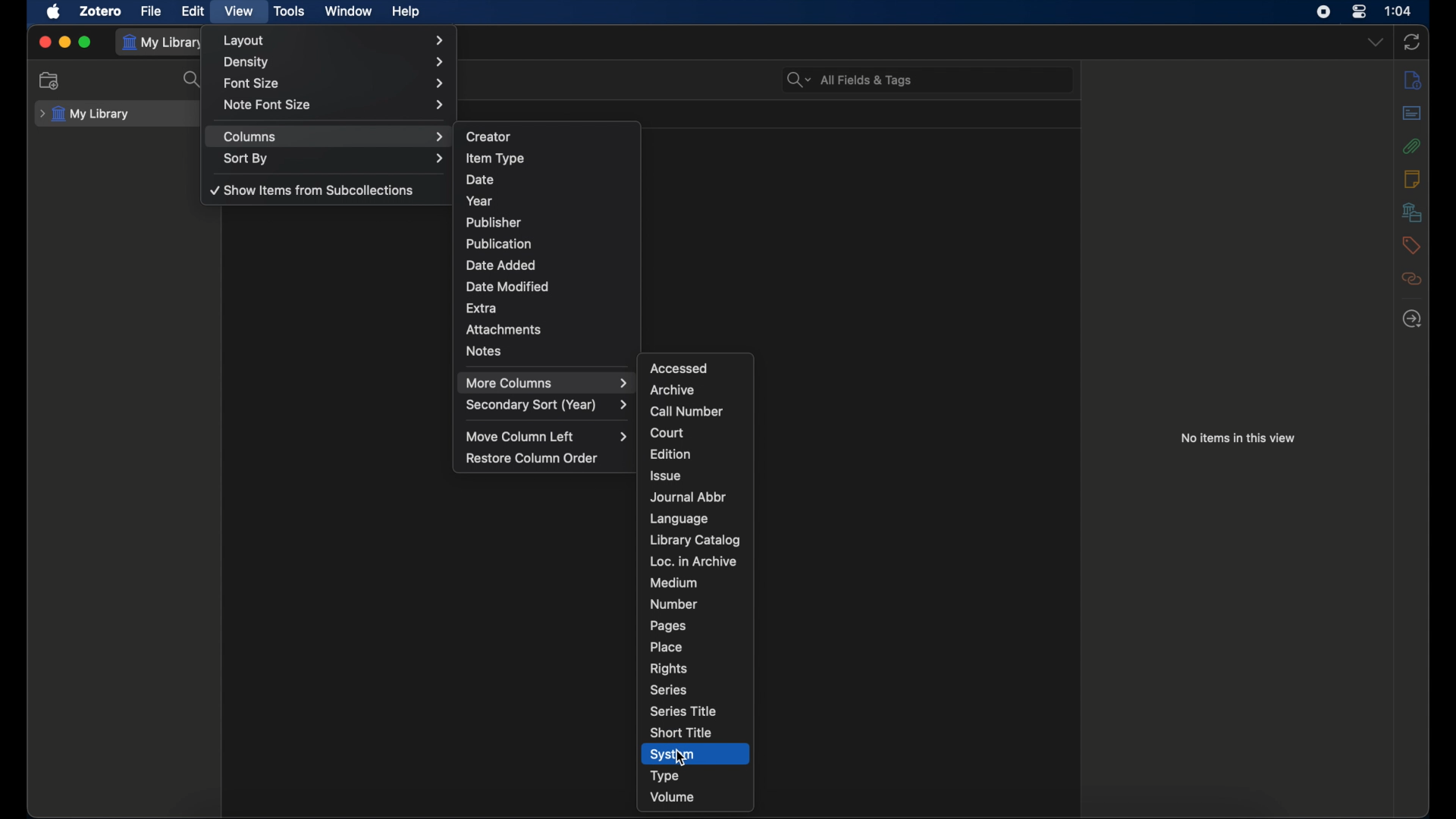  I want to click on number, so click(674, 604).